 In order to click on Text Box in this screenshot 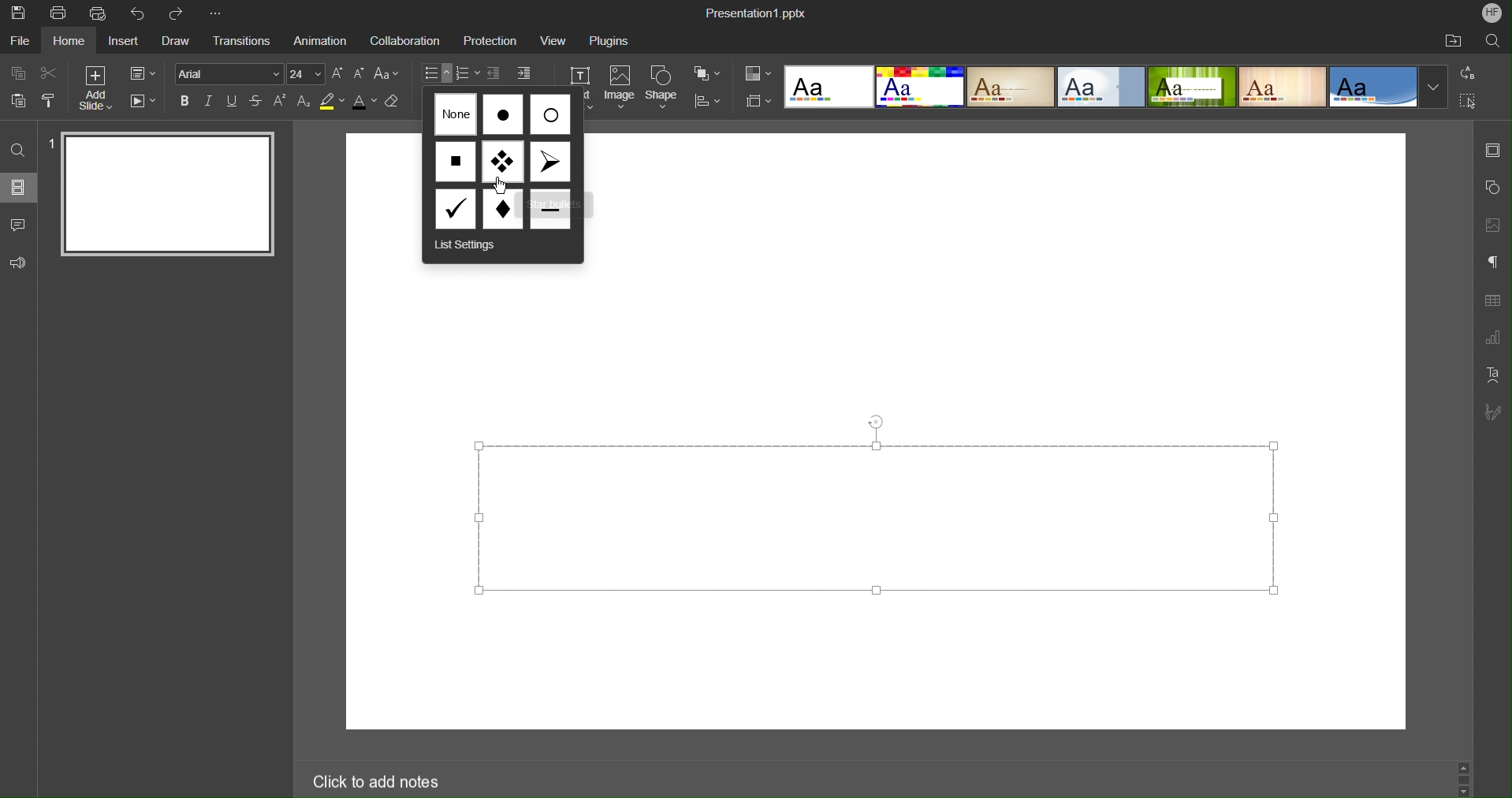, I will do `click(579, 76)`.